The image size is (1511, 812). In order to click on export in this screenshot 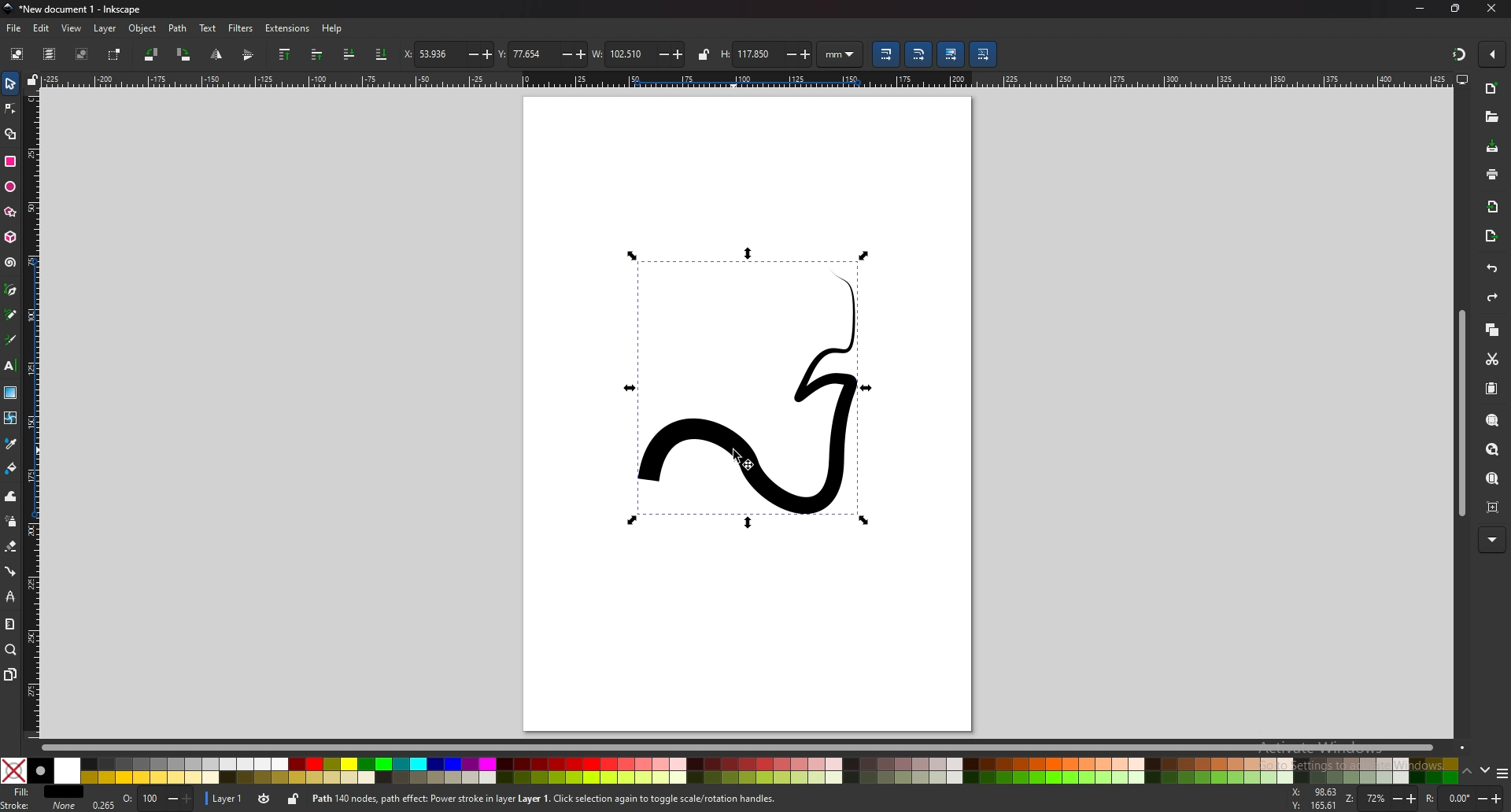, I will do `click(1493, 236)`.